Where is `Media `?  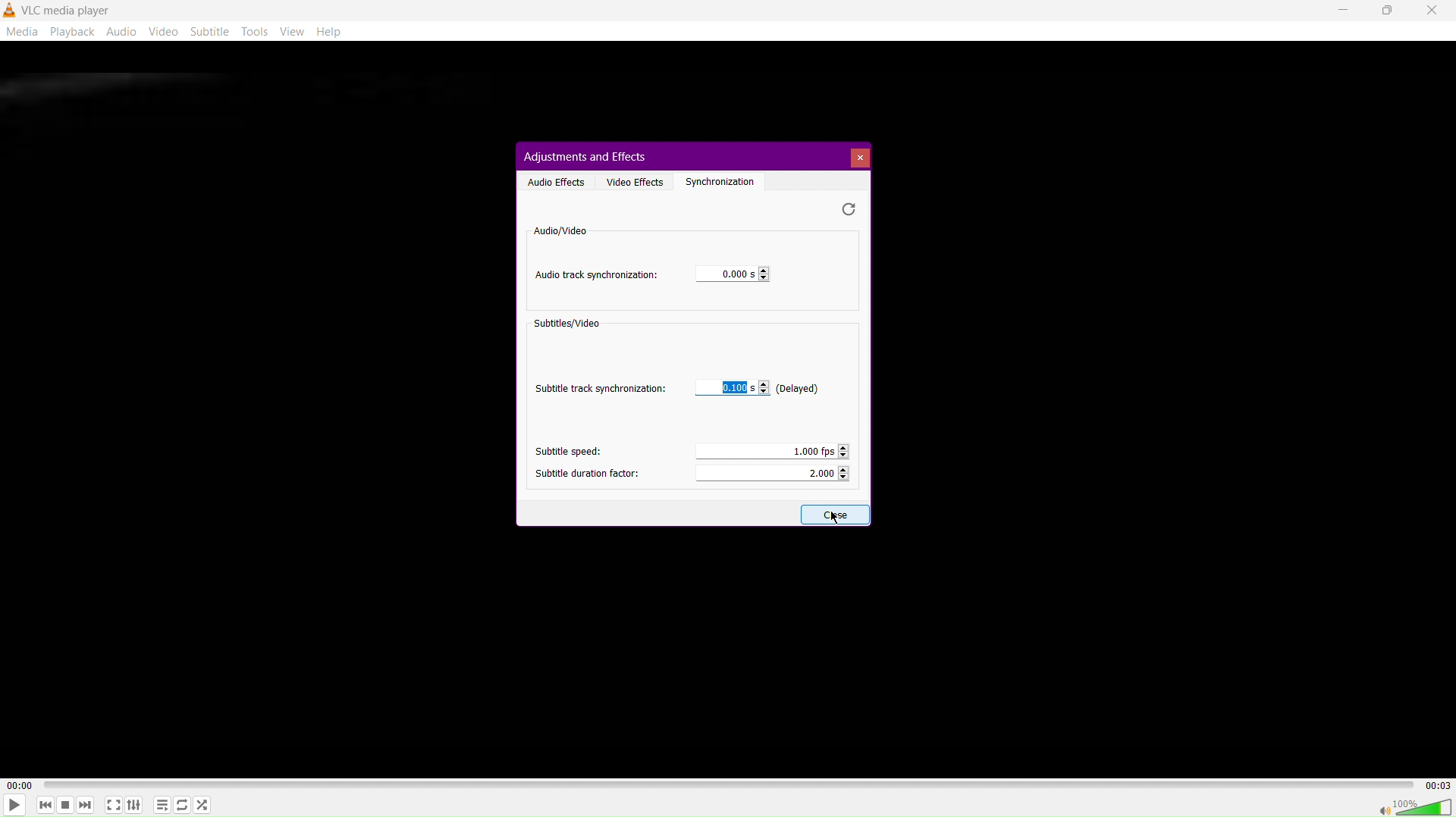 Media  is located at coordinates (23, 30).